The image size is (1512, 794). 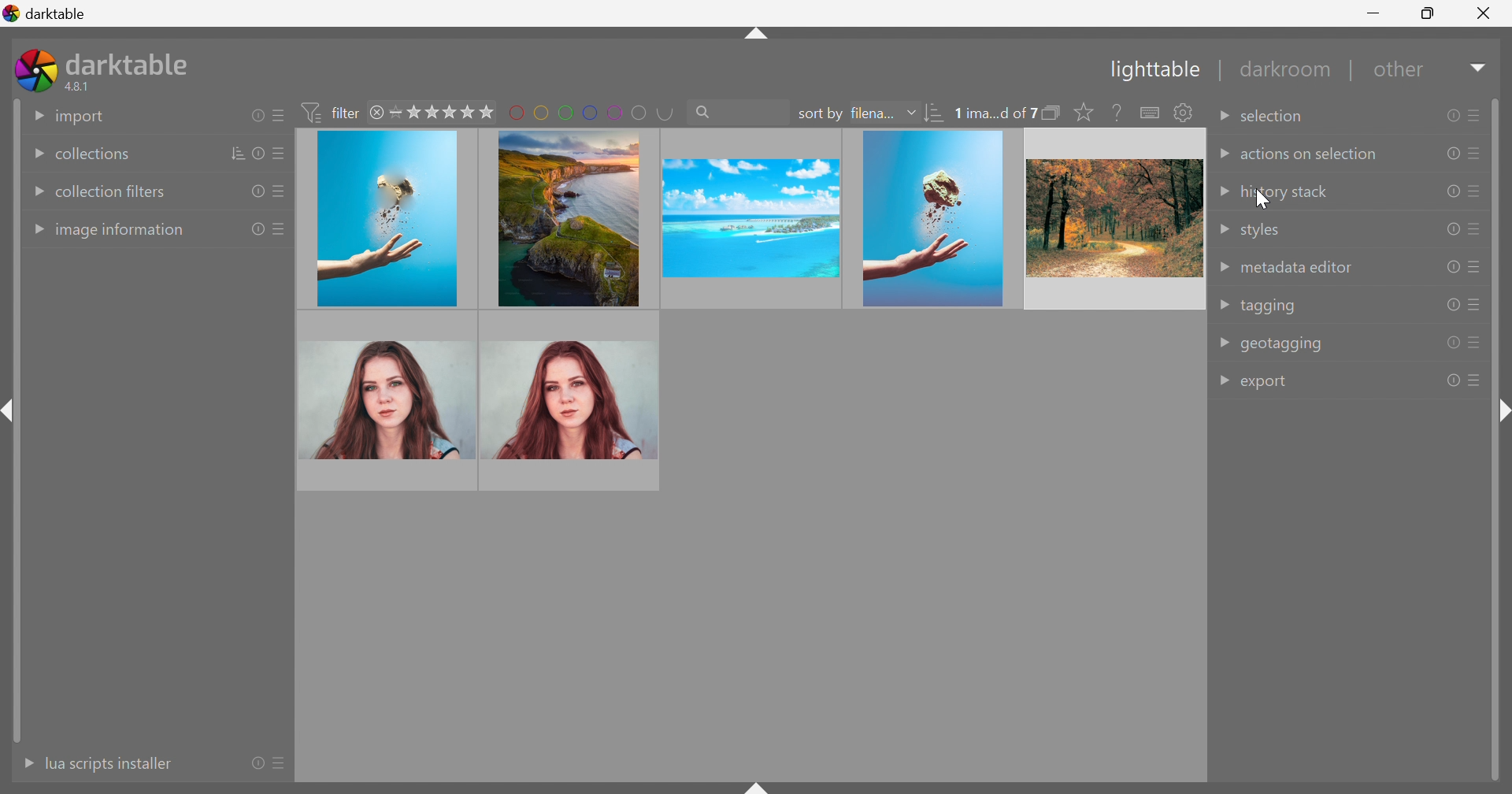 What do you see at coordinates (1288, 70) in the screenshot?
I see `darkroom` at bounding box center [1288, 70].